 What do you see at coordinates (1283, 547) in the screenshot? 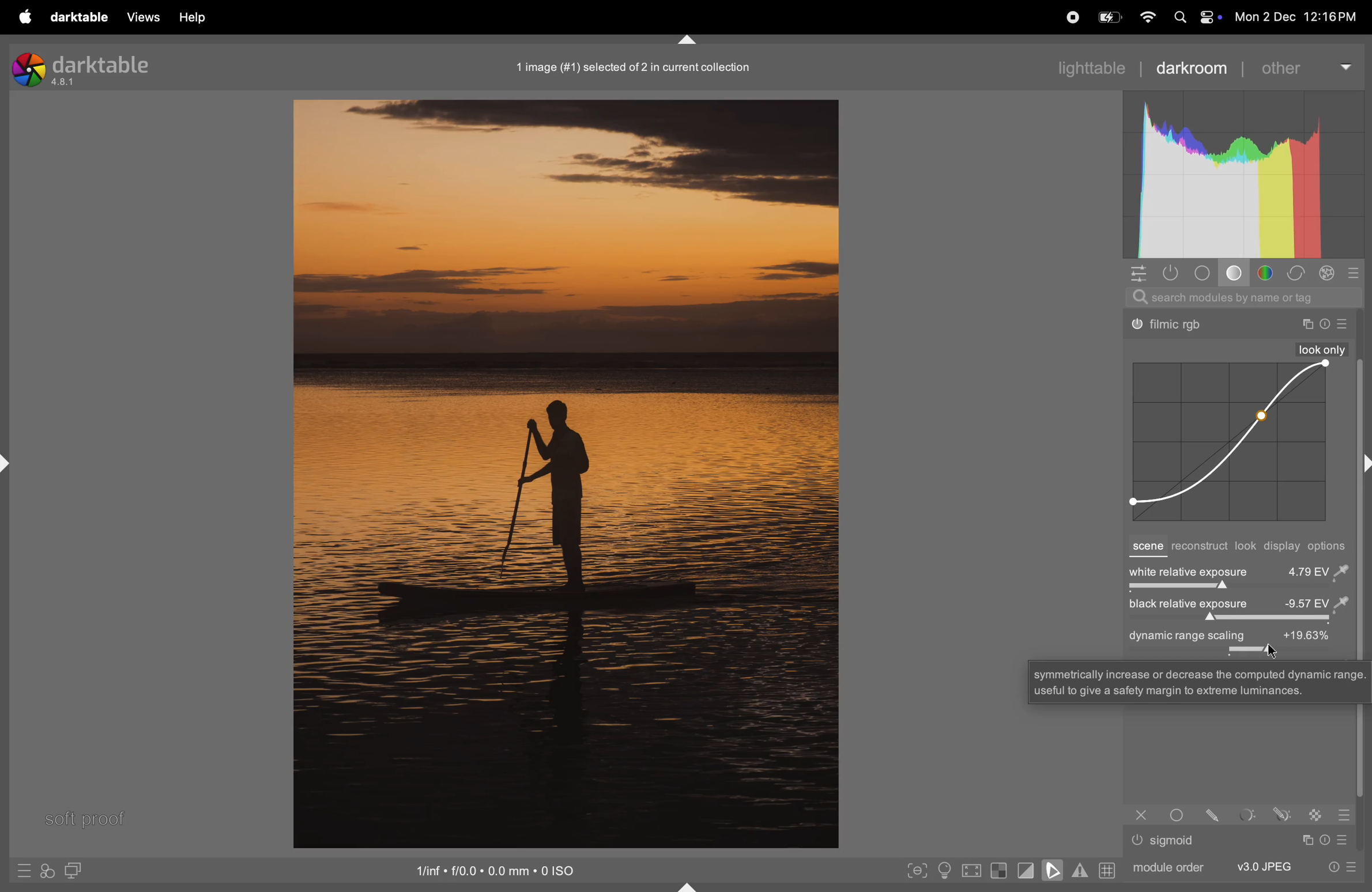
I see `display` at bounding box center [1283, 547].